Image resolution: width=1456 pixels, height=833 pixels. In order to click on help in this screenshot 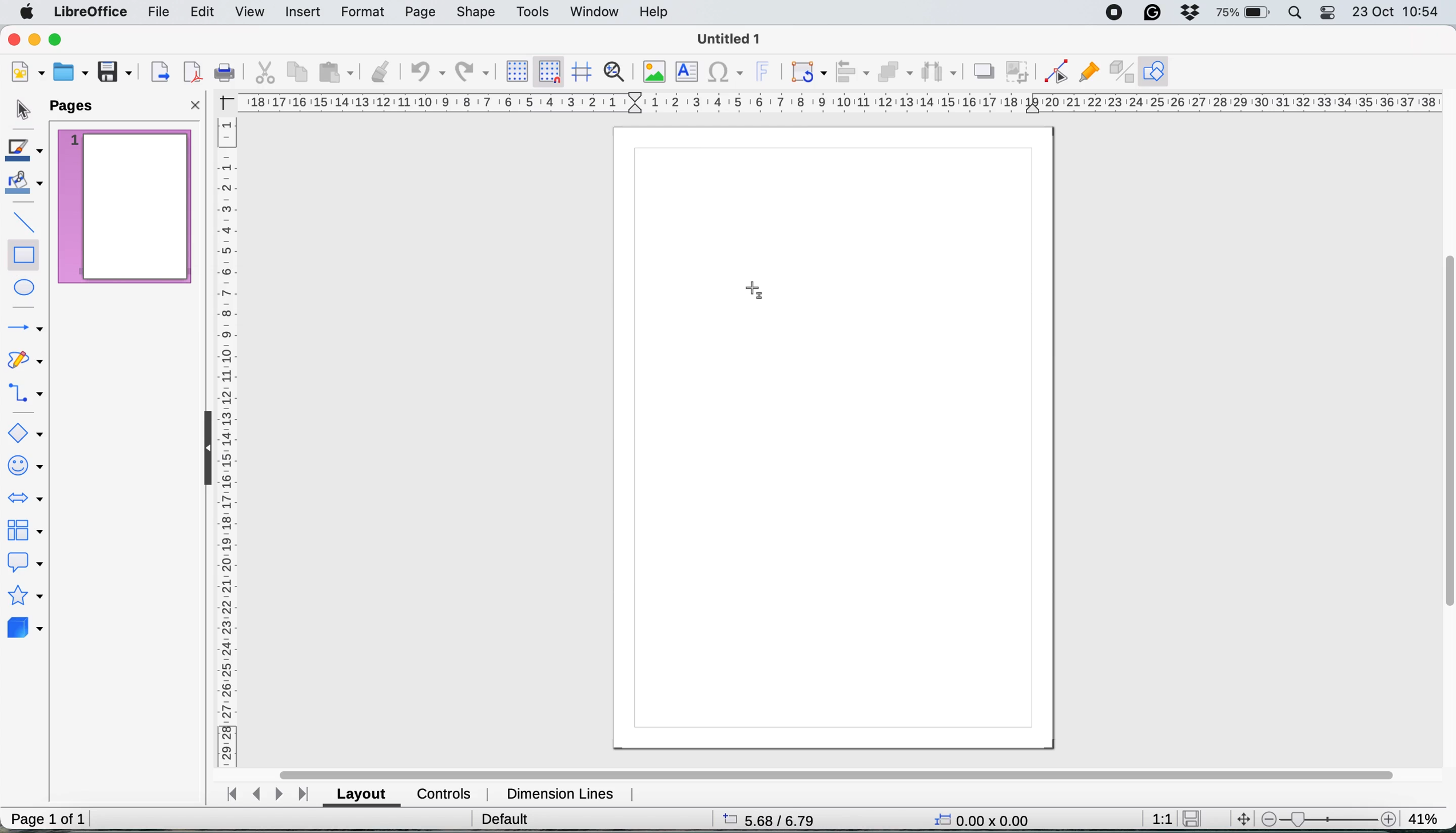, I will do `click(657, 12)`.